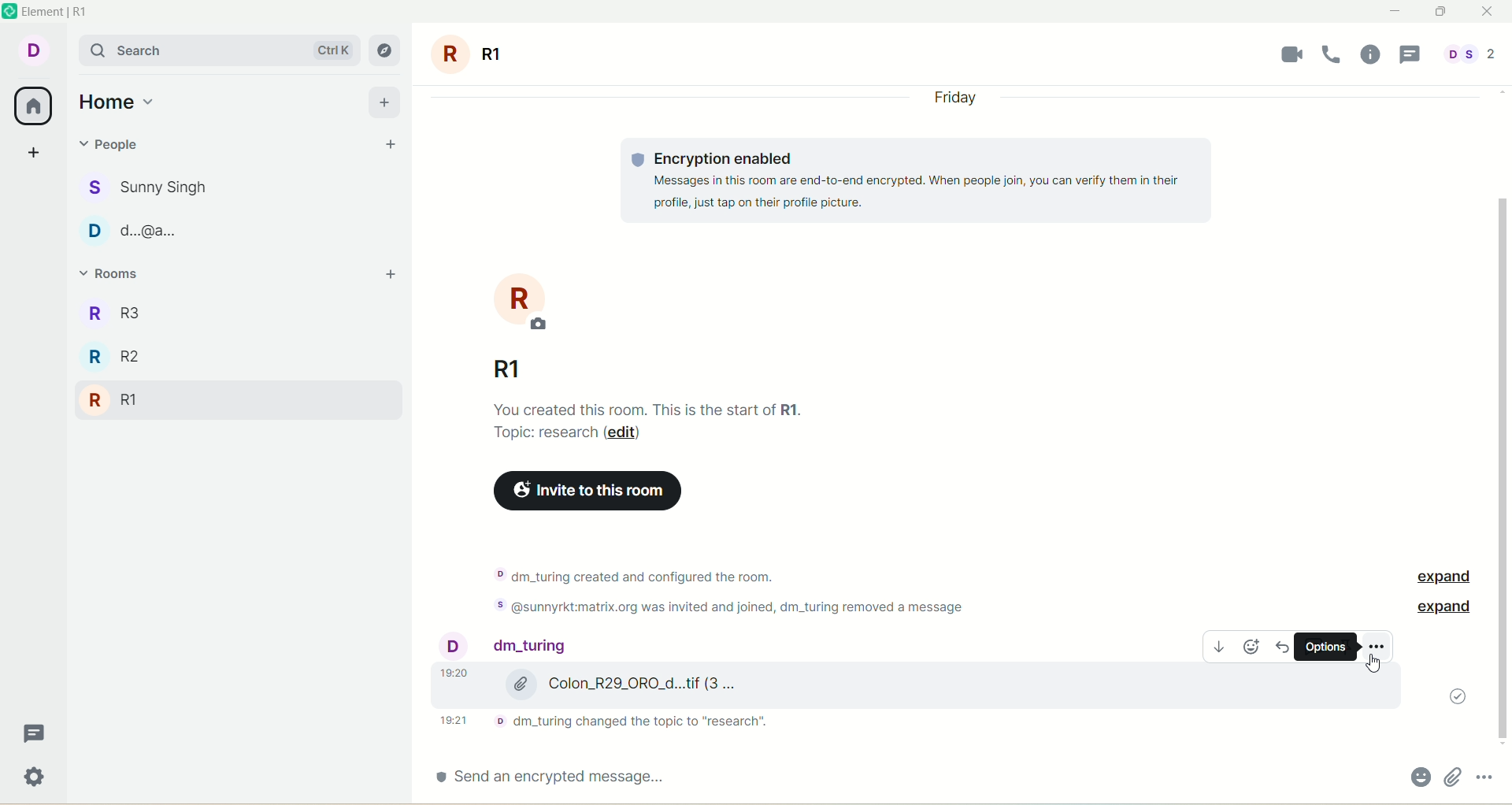 The image size is (1512, 805). What do you see at coordinates (579, 777) in the screenshot?
I see `send an encrypted message` at bounding box center [579, 777].